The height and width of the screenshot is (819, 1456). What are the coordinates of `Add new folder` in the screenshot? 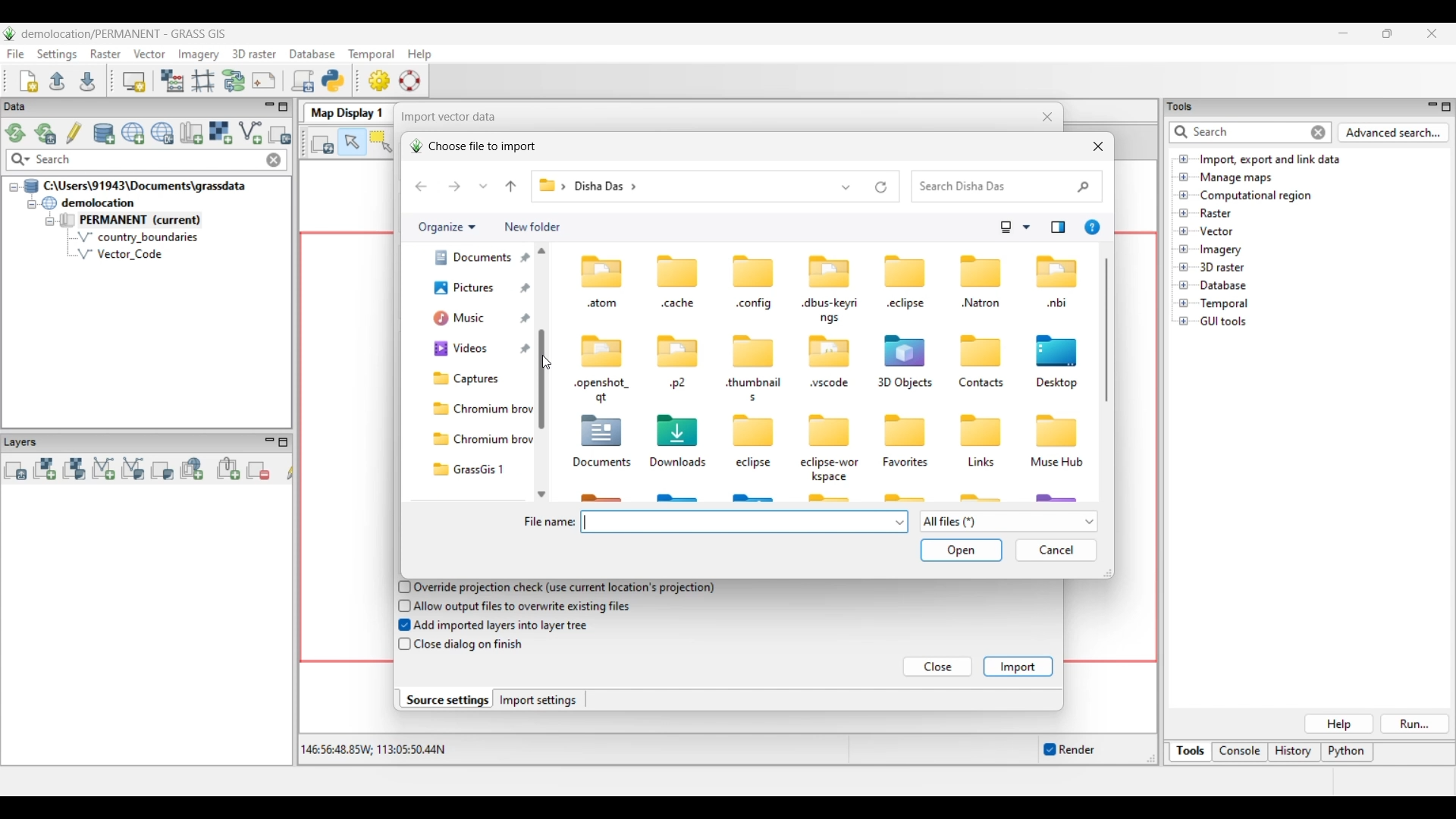 It's located at (532, 227).